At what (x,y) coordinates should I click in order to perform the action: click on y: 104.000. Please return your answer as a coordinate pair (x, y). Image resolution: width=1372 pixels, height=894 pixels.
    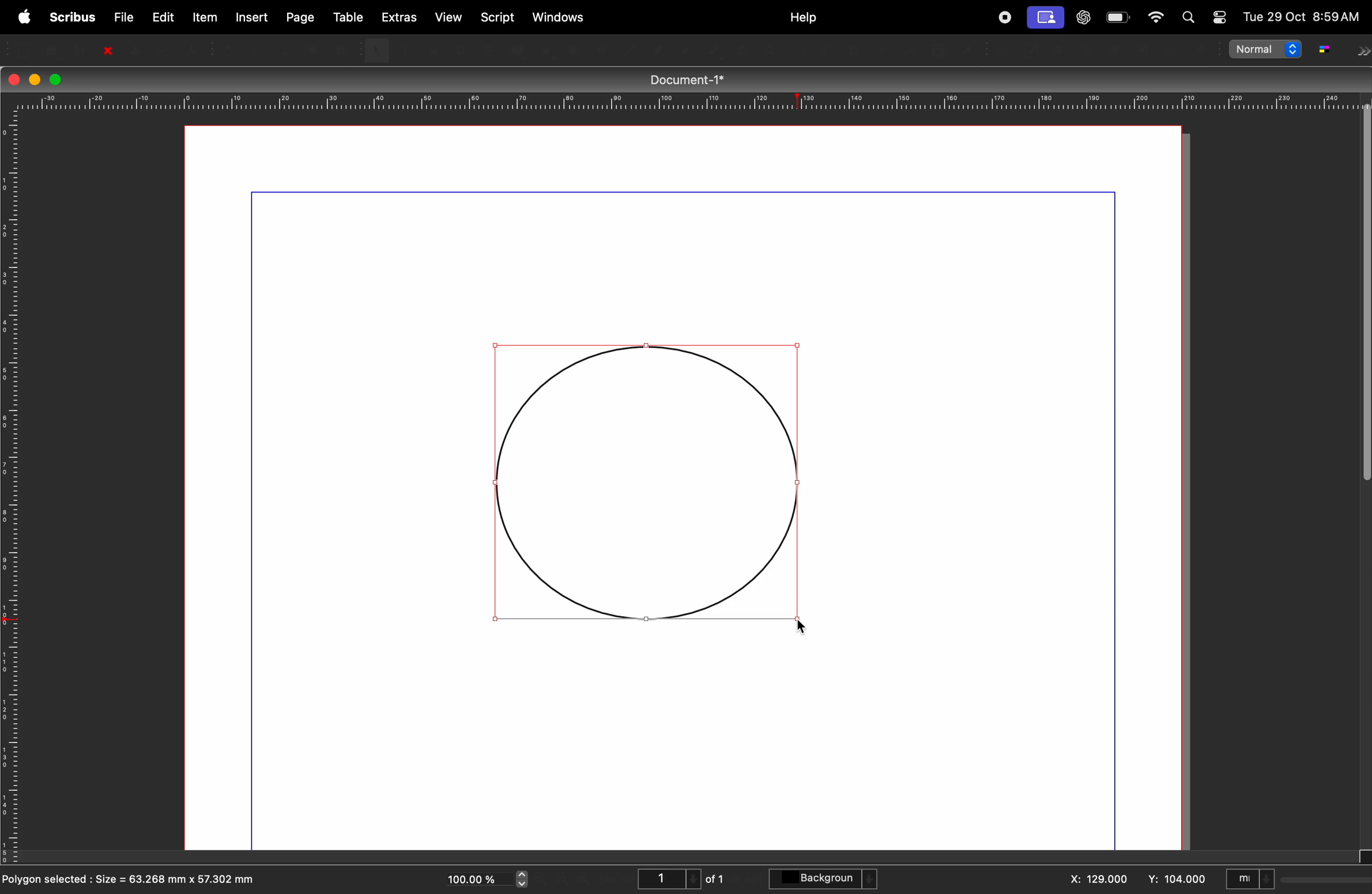
    Looking at the image, I should click on (1171, 878).